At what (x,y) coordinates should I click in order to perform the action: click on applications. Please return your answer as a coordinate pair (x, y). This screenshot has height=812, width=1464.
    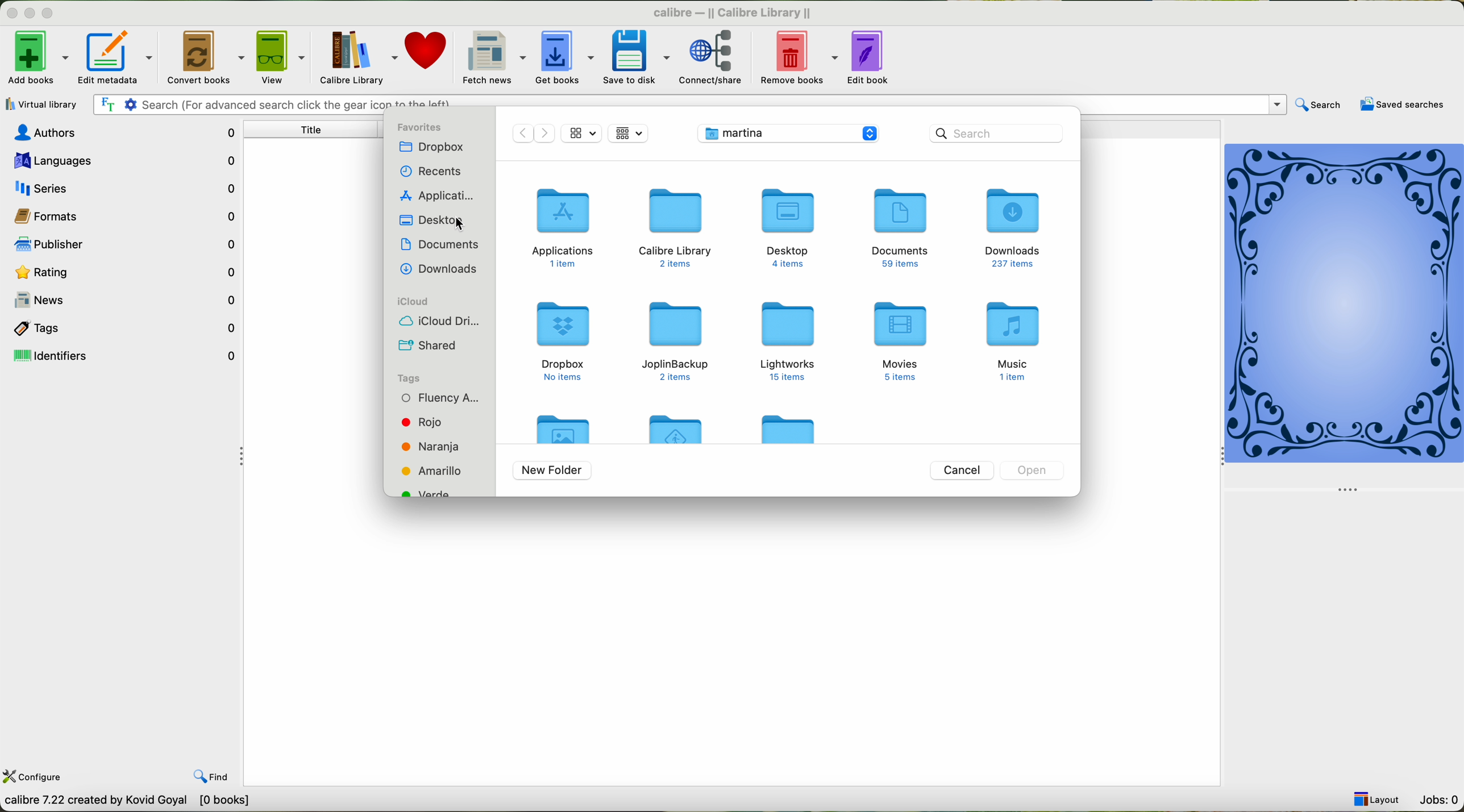
    Looking at the image, I should click on (561, 226).